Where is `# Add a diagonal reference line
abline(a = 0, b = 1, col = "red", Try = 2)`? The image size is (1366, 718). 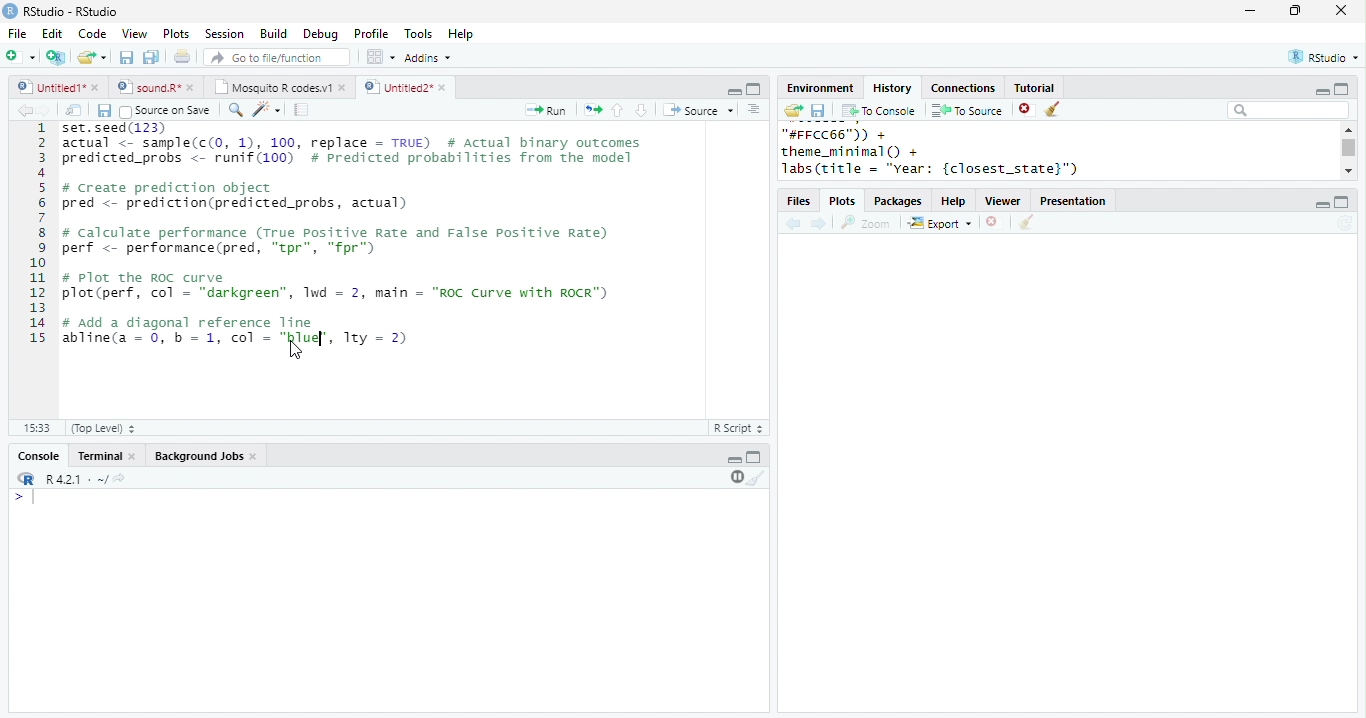 # Add a diagonal reference line
abline(a = 0, b = 1, col = "red", Try = 2) is located at coordinates (234, 330).